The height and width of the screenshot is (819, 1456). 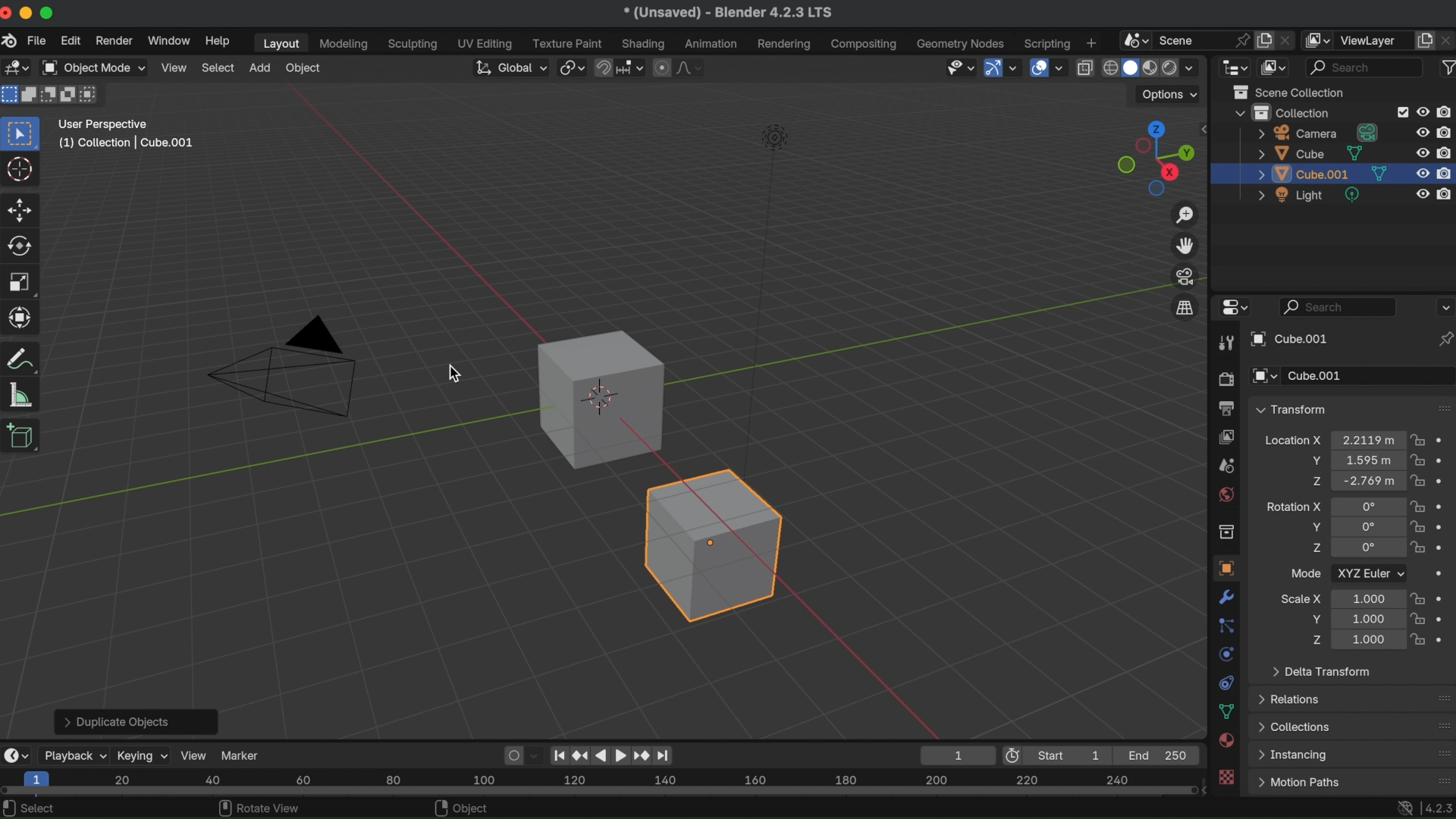 I want to click on side bar settings, so click(x=1207, y=127).